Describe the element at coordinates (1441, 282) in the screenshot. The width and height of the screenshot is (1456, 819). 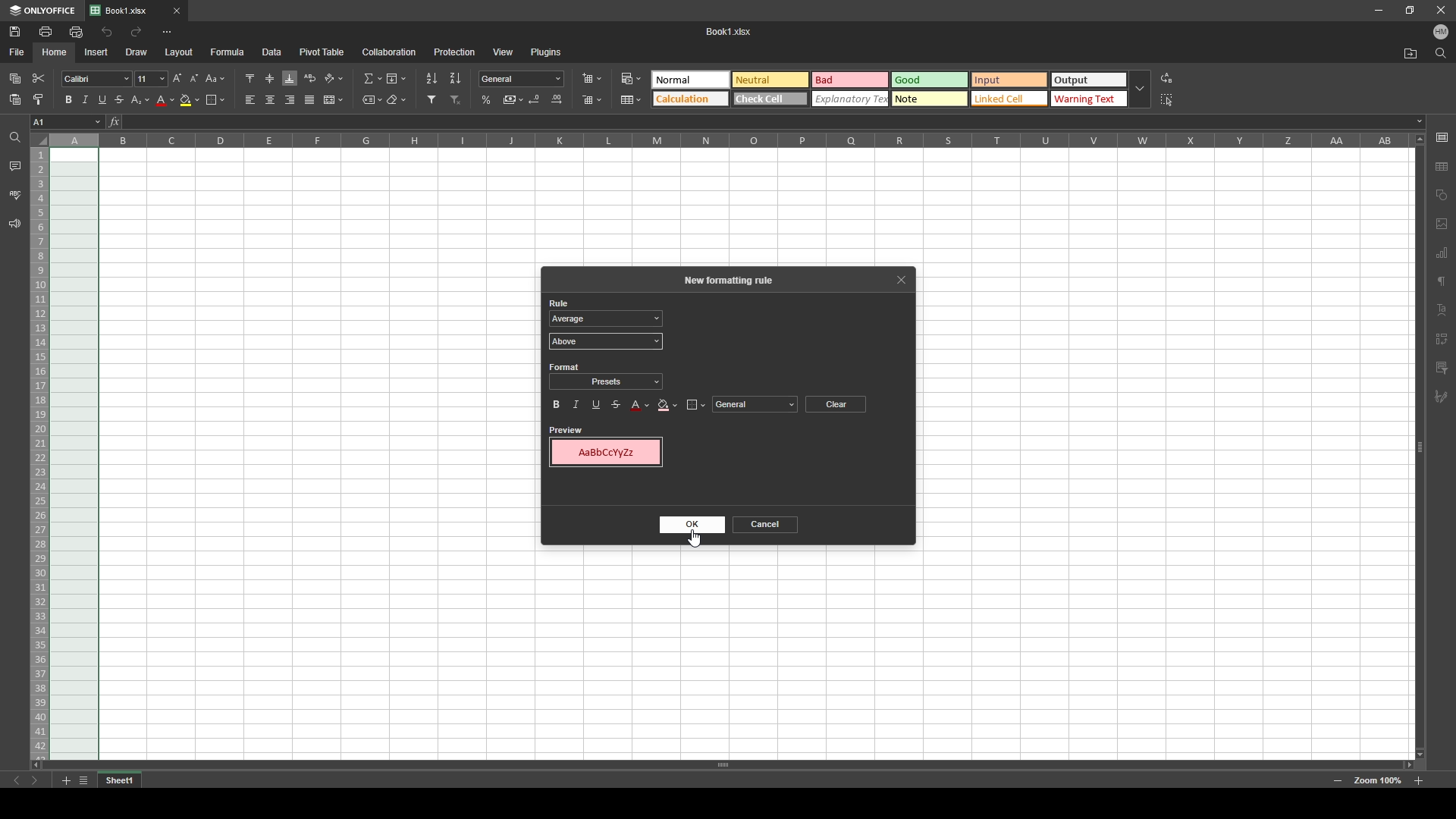
I see `paragraph` at that location.